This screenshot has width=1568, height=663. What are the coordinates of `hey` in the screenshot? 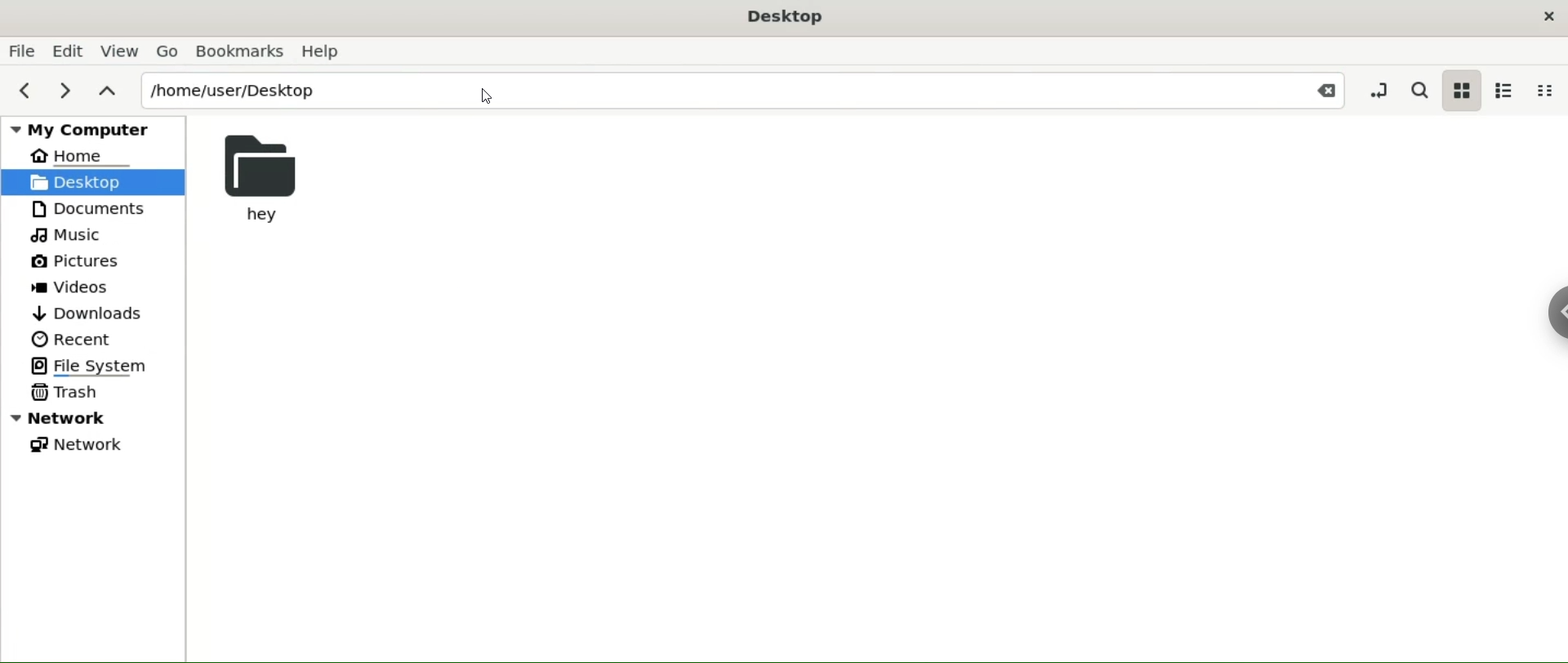 It's located at (266, 177).